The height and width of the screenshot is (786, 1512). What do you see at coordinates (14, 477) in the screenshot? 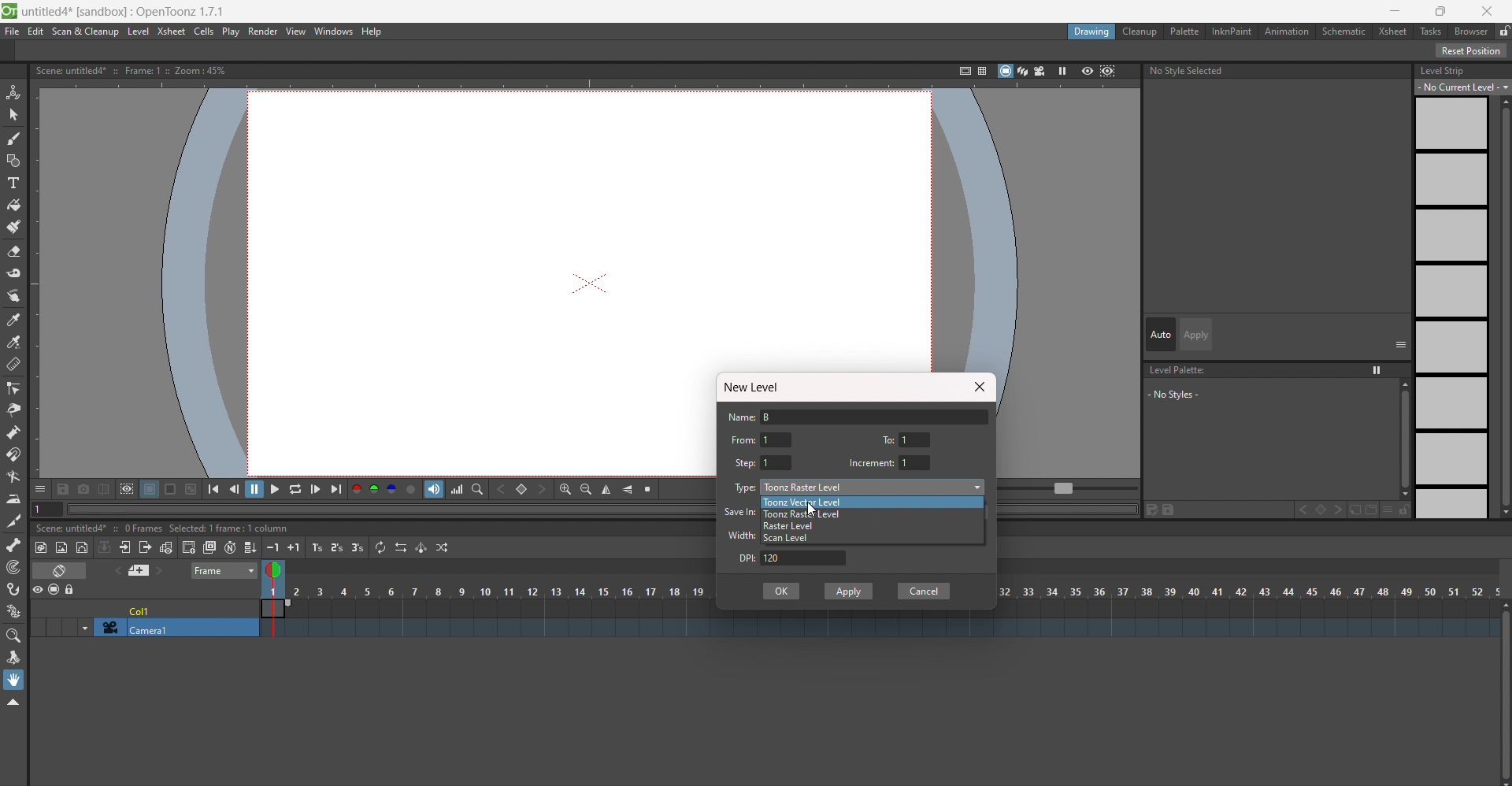
I see `bender tool` at bounding box center [14, 477].